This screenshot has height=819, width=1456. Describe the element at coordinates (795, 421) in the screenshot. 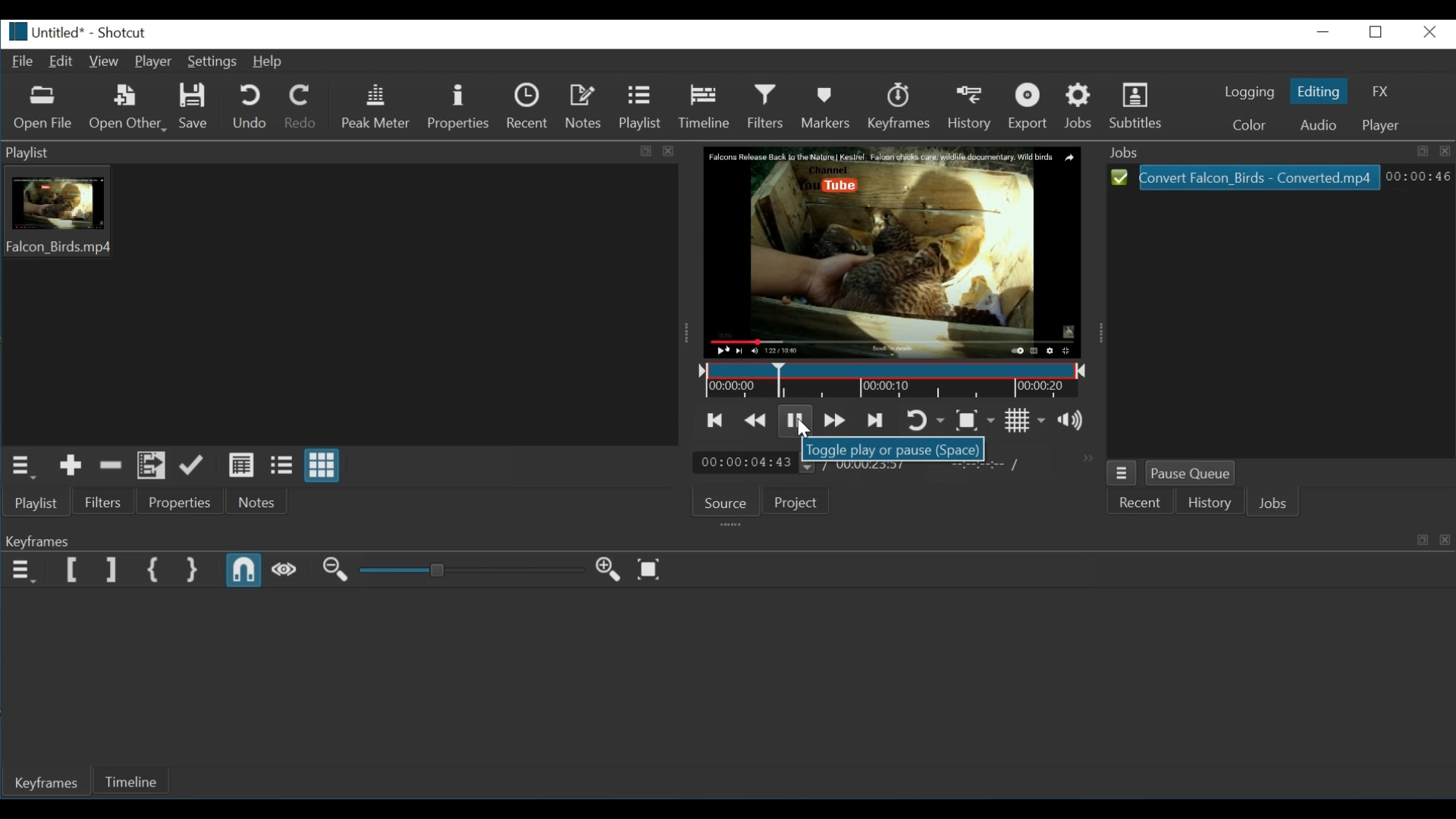

I see `Toggle play or pause` at that location.